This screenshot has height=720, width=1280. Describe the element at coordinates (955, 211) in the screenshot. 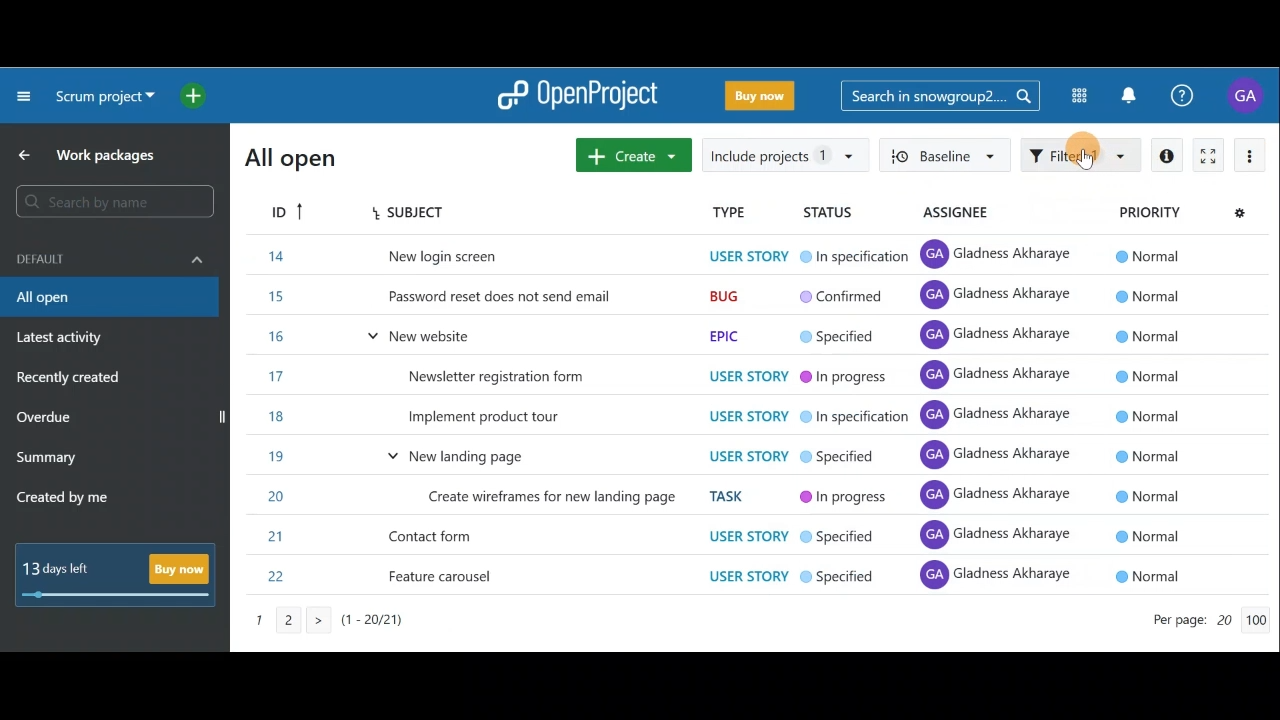

I see `Assignee` at that location.